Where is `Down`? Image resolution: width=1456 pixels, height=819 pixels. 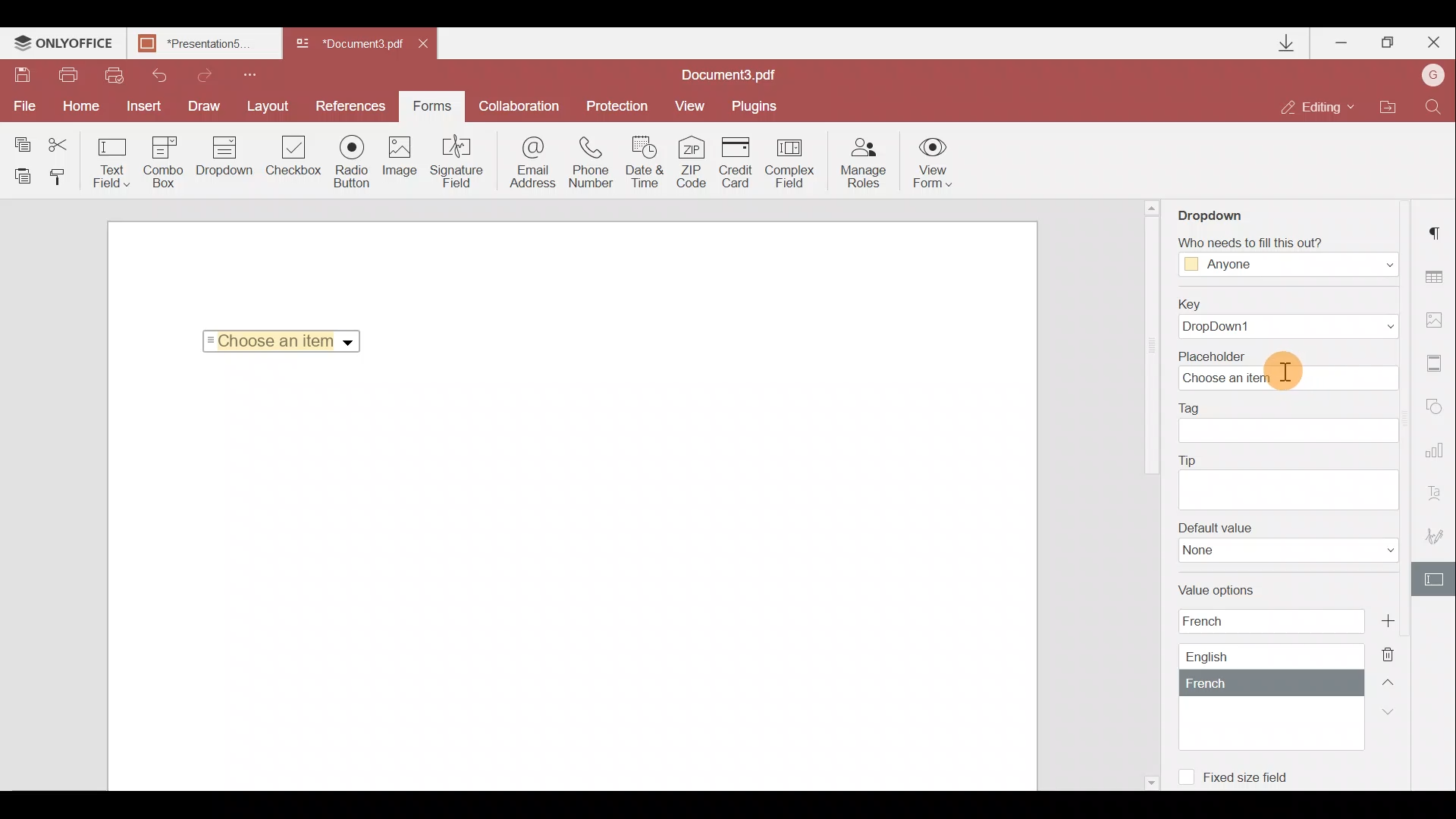
Down is located at coordinates (1393, 711).